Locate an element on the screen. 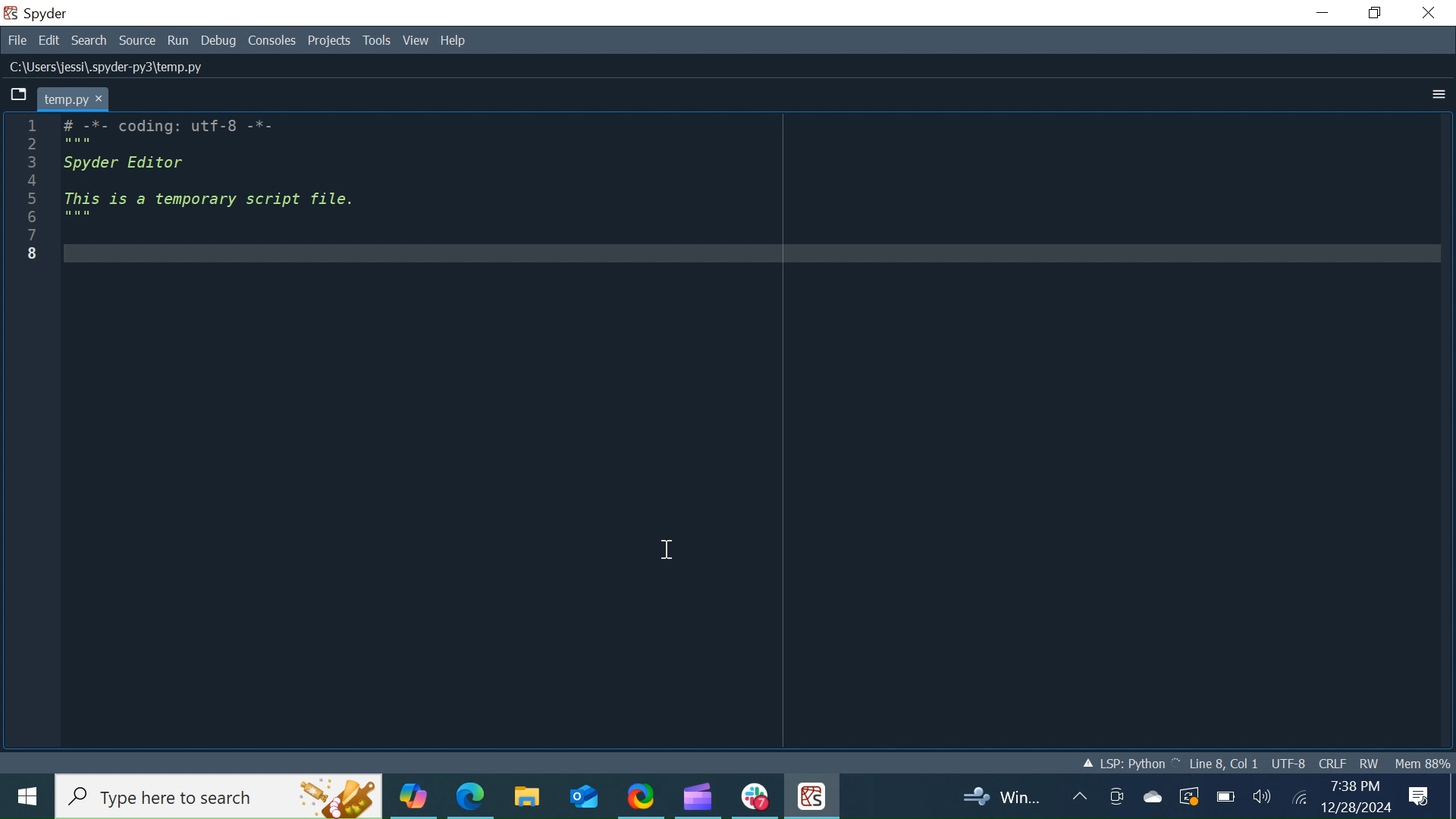  File Permission is located at coordinates (1369, 763).